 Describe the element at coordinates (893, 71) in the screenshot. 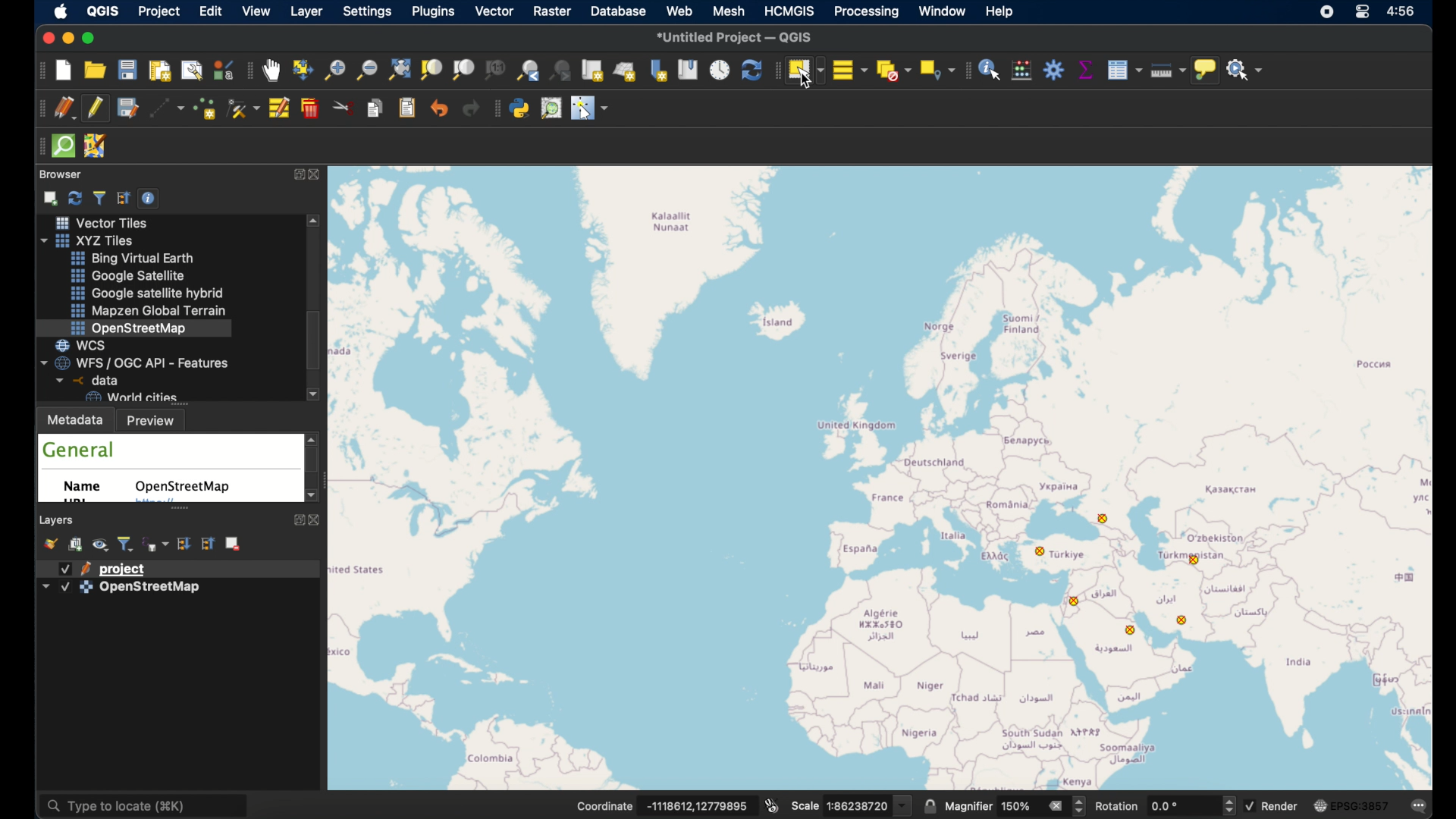

I see `deselect features from all layers` at that location.